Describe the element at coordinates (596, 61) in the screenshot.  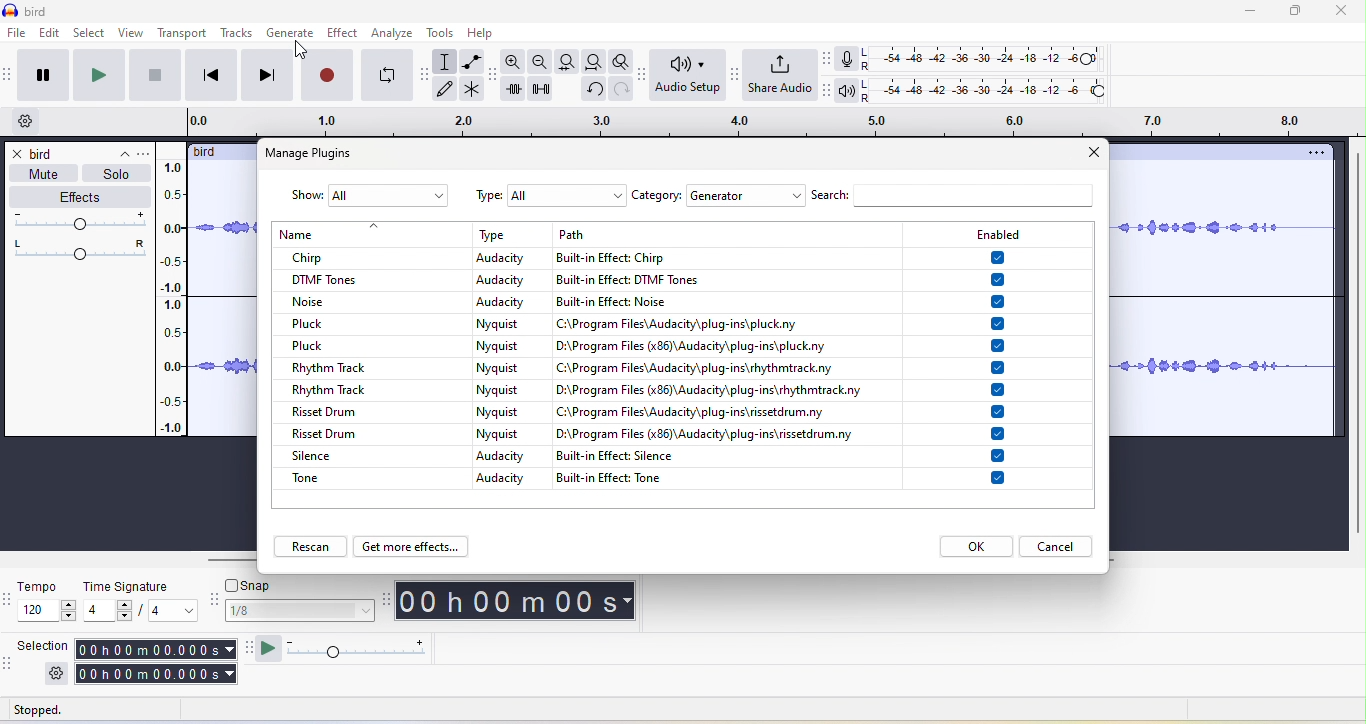
I see `fit project to width` at that location.